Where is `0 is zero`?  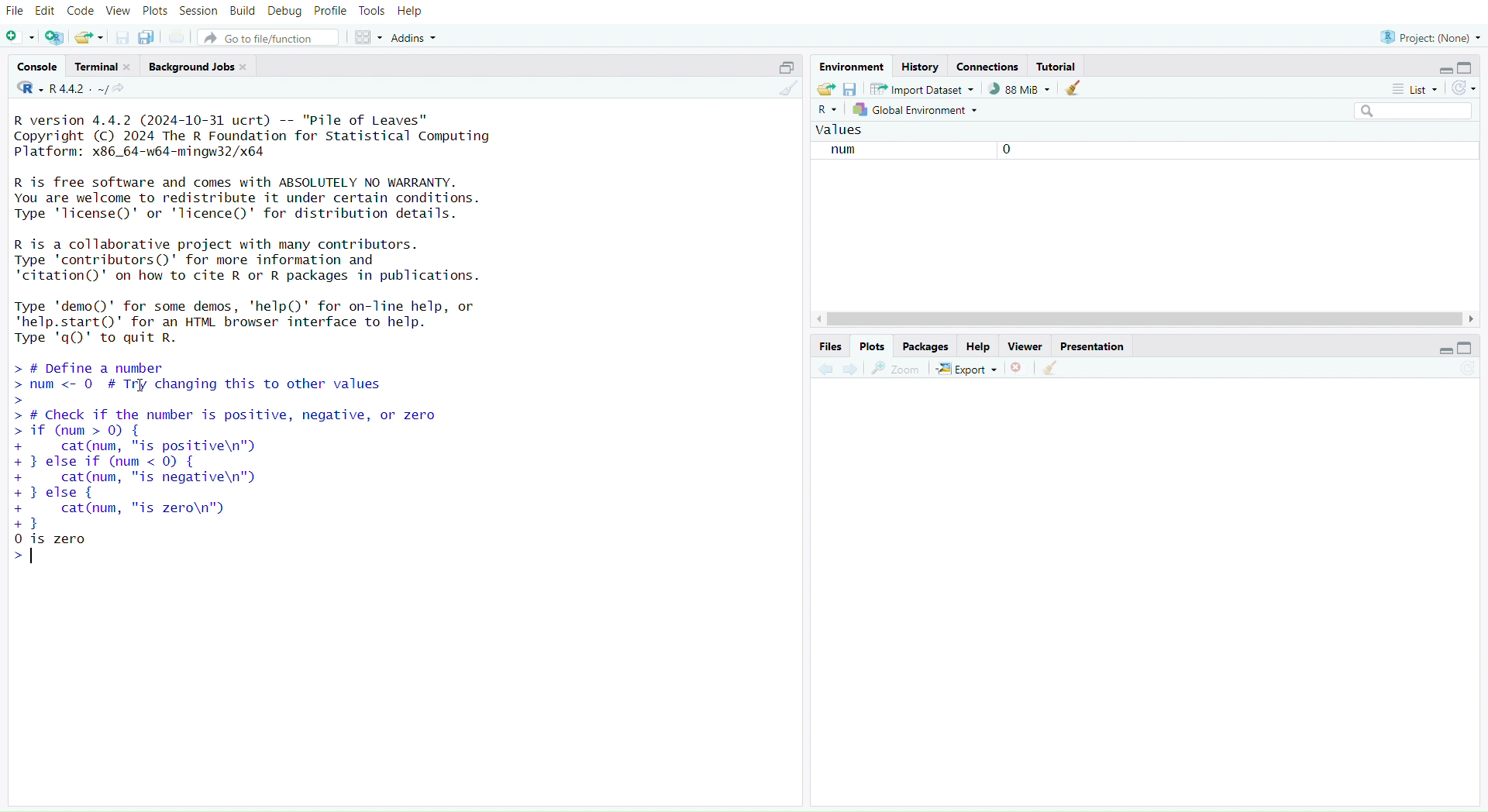 0 is zero is located at coordinates (53, 549).